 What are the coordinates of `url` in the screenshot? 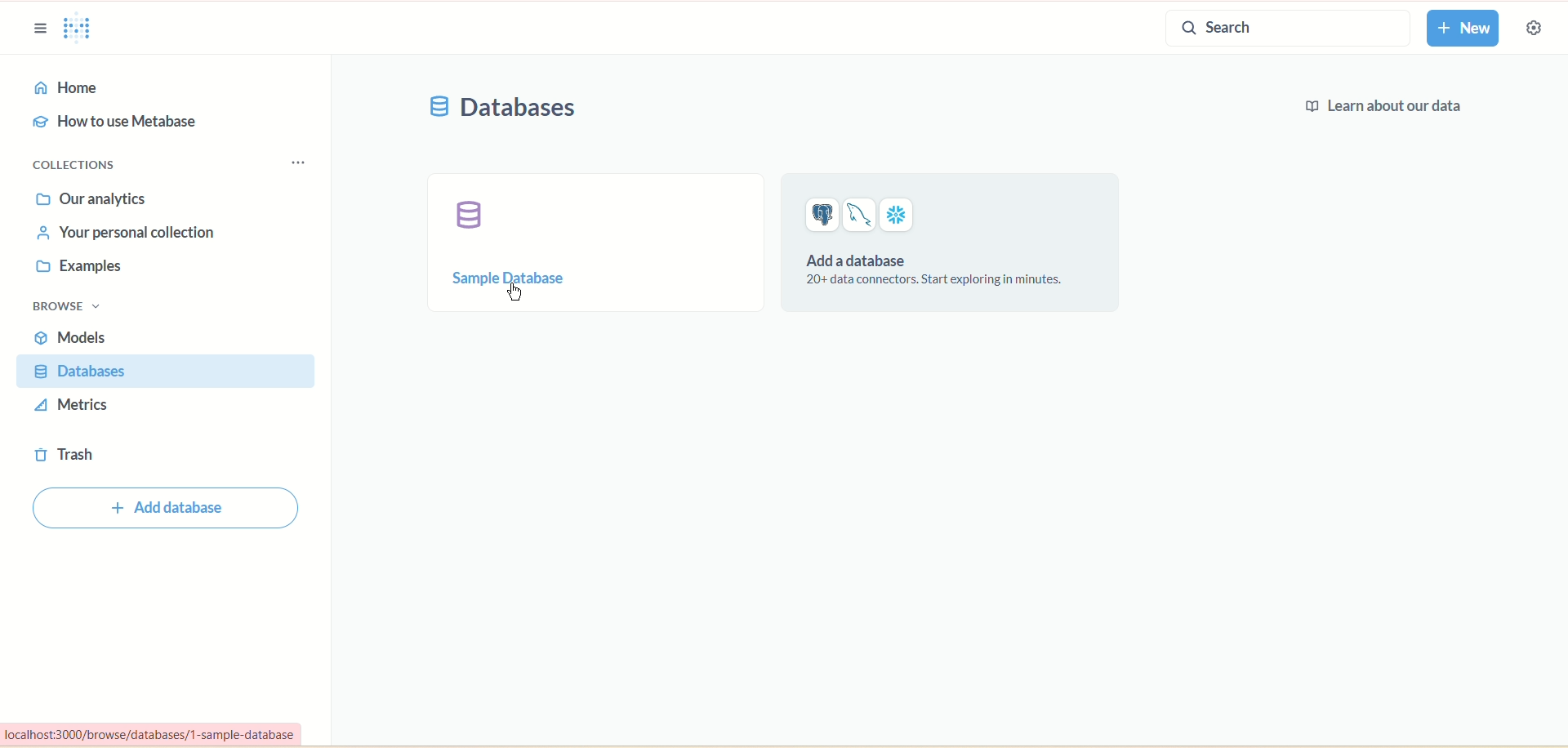 It's located at (164, 730).